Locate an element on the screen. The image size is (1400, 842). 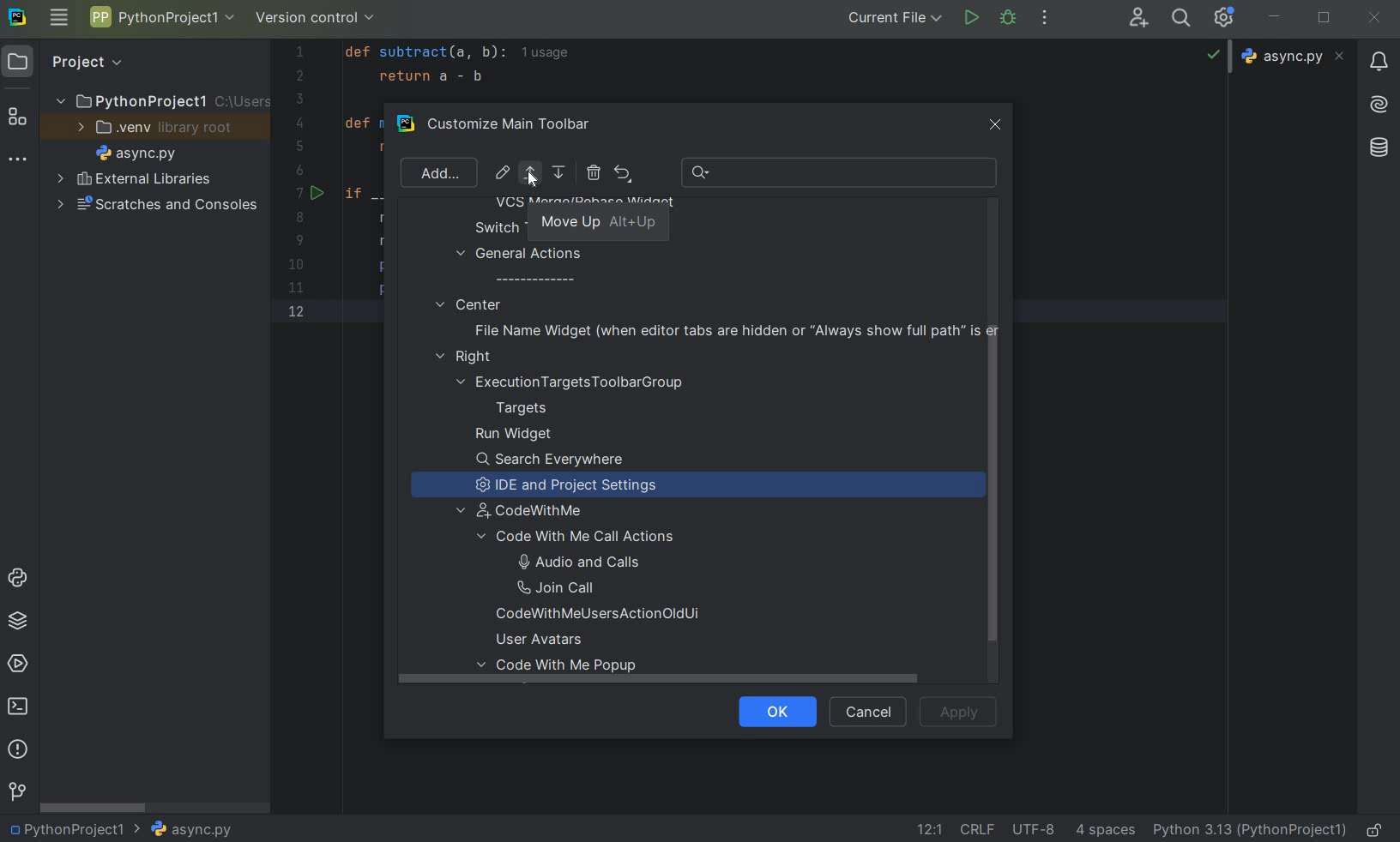
audio and calls is located at coordinates (575, 561).